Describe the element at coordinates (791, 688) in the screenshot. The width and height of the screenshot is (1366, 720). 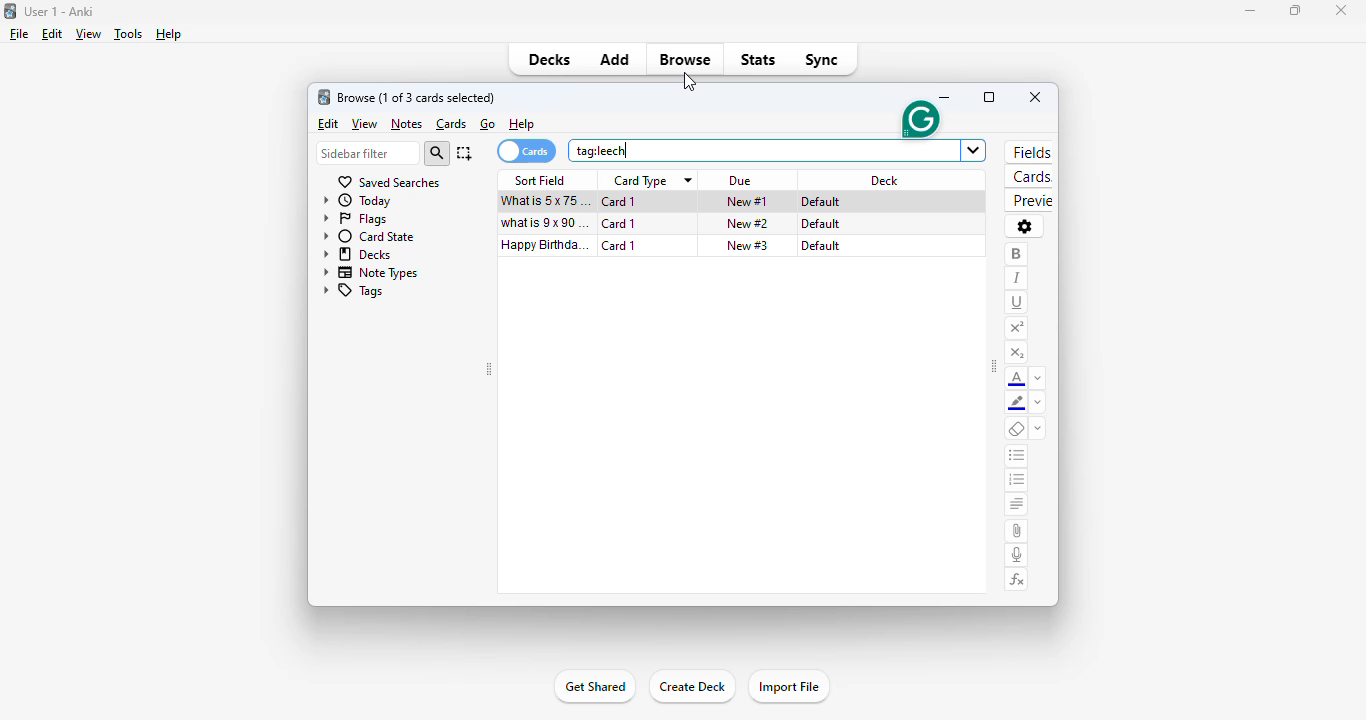
I see `import file` at that location.